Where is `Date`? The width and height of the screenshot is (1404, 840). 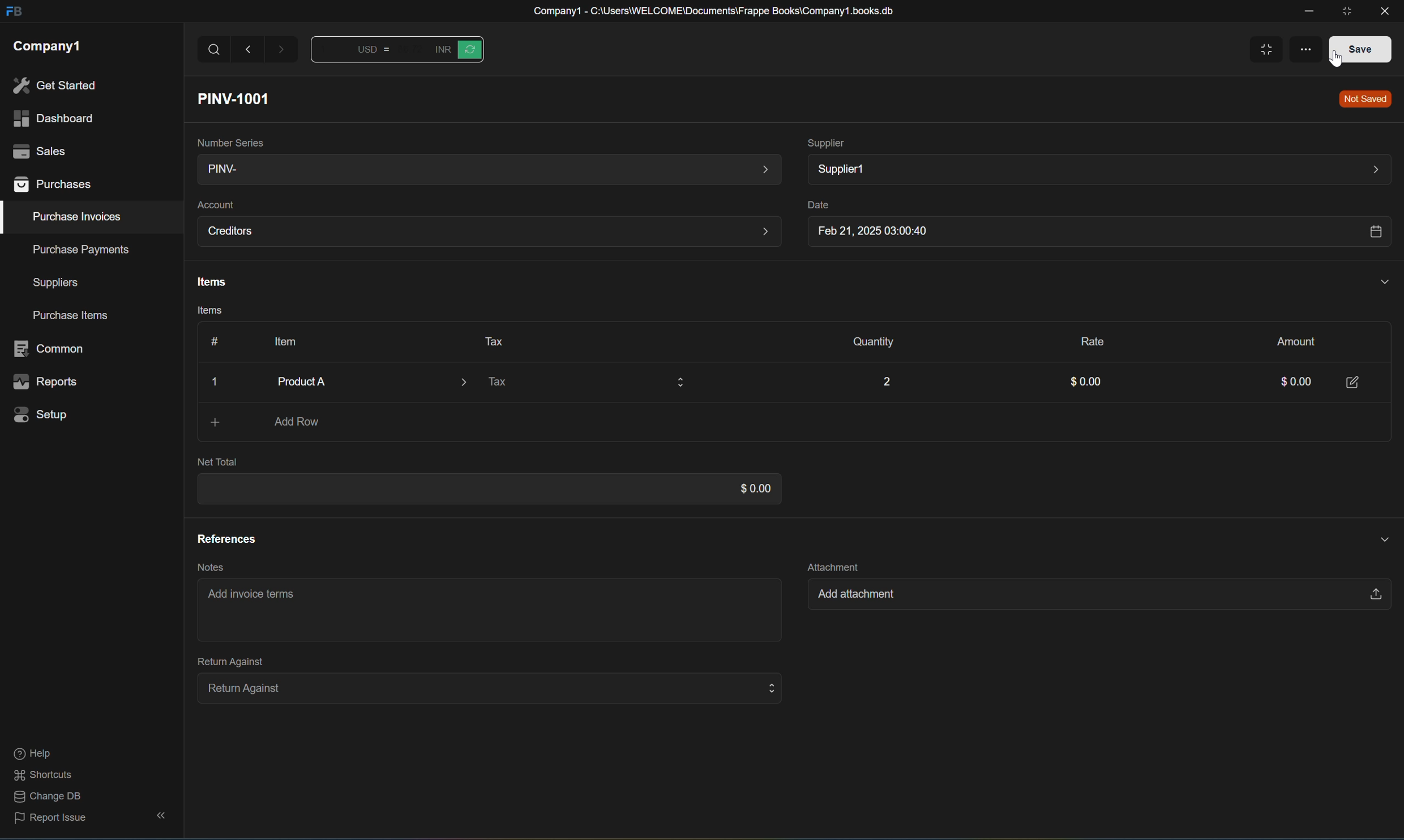
Date is located at coordinates (815, 205).